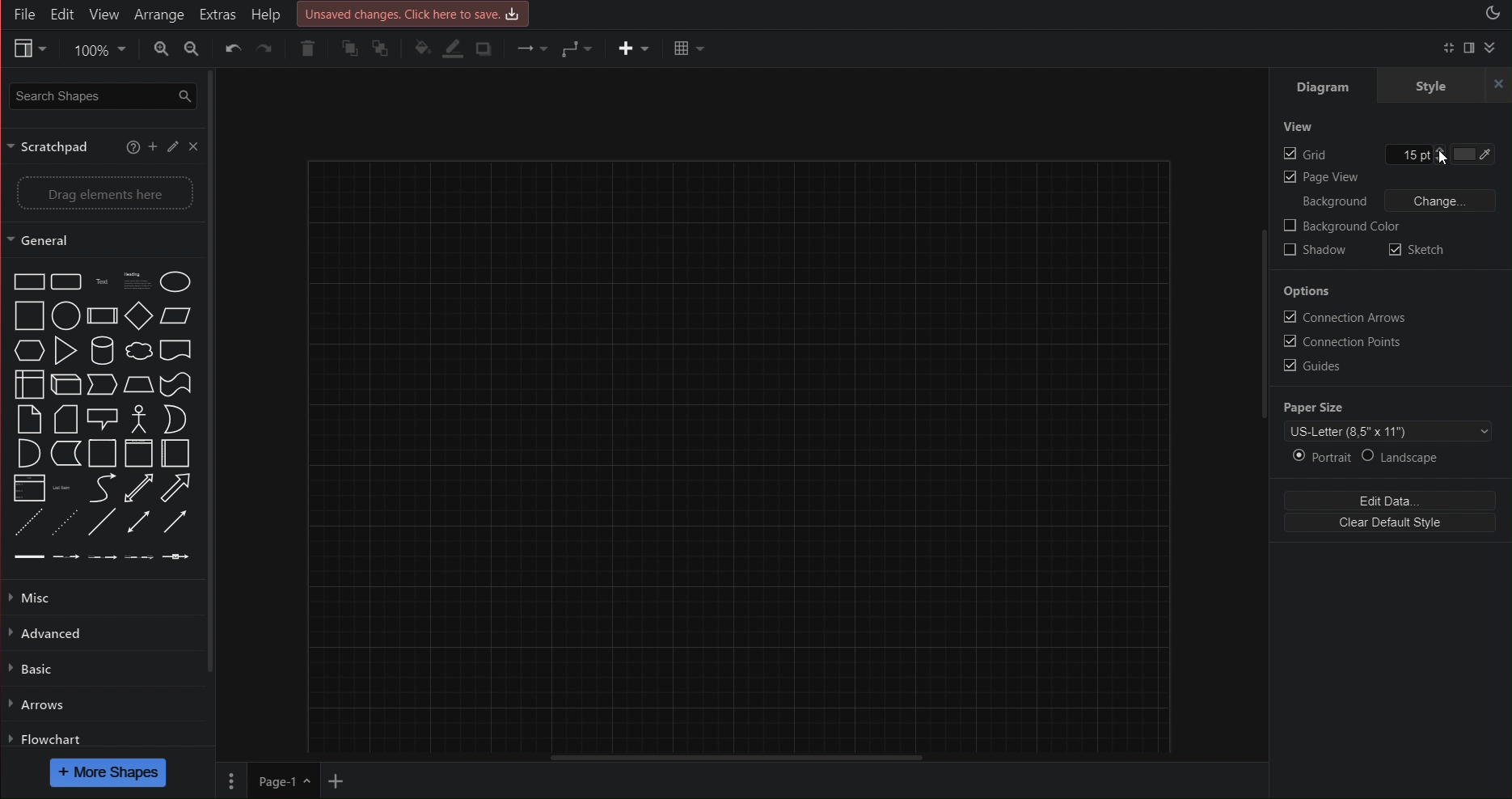 Image resolution: width=1512 pixels, height=799 pixels. I want to click on Send Back, so click(385, 48).